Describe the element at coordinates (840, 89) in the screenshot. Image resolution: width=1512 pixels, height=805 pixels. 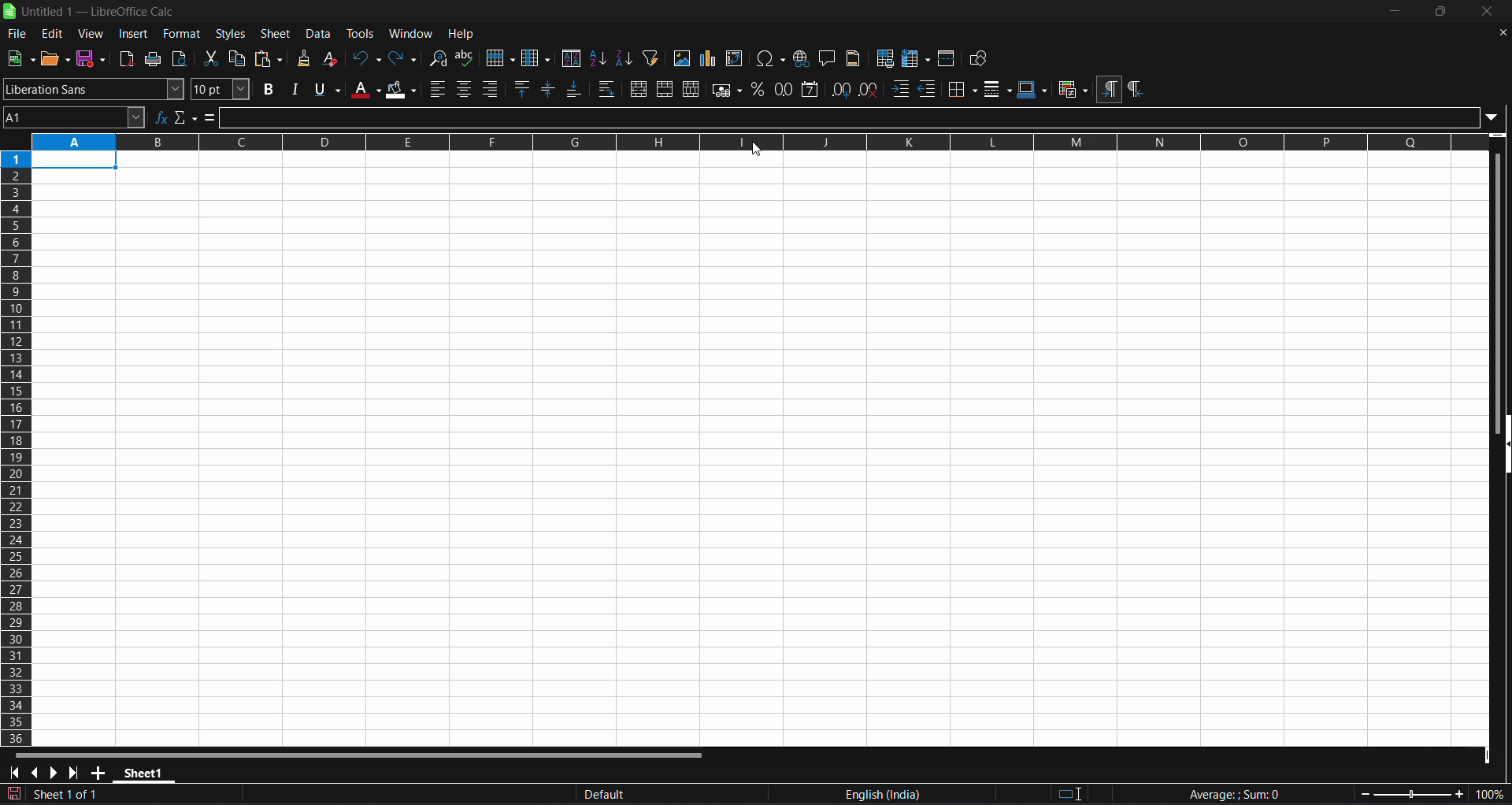
I see `add decimal place` at that location.